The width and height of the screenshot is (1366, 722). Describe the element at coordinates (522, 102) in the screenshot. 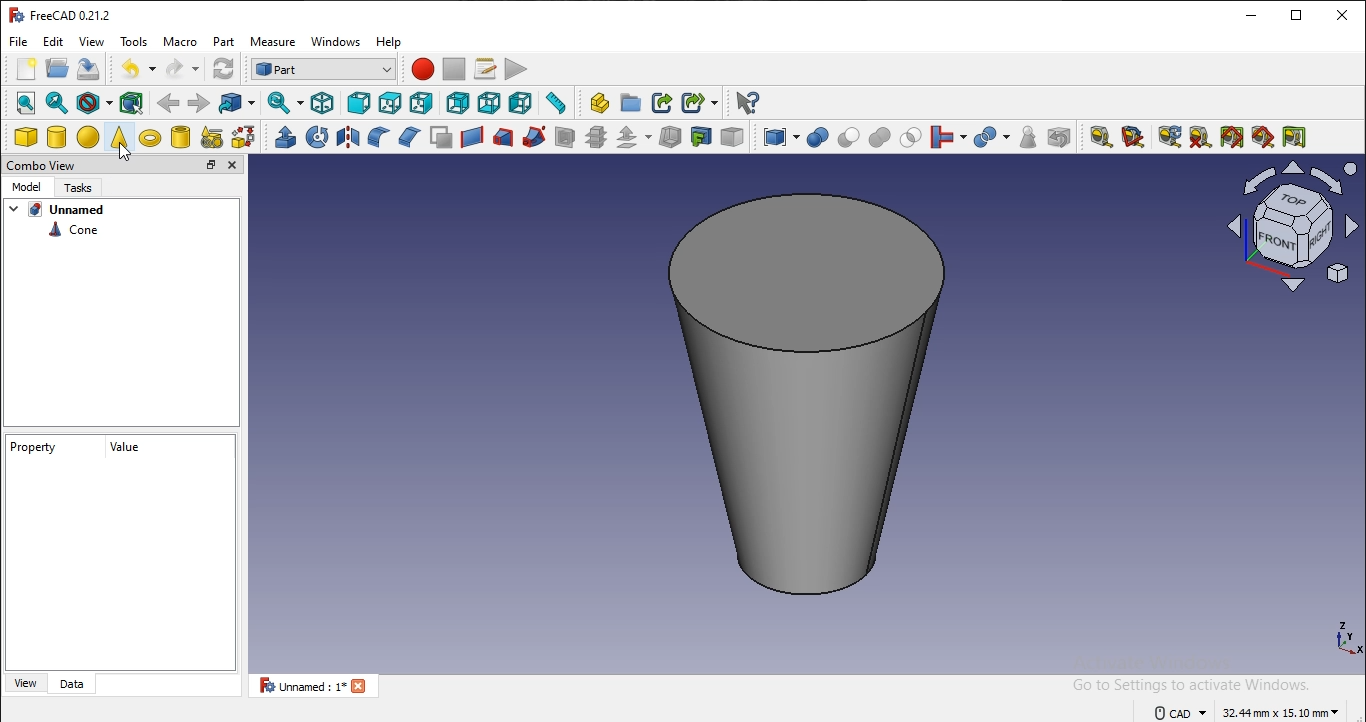

I see `left` at that location.